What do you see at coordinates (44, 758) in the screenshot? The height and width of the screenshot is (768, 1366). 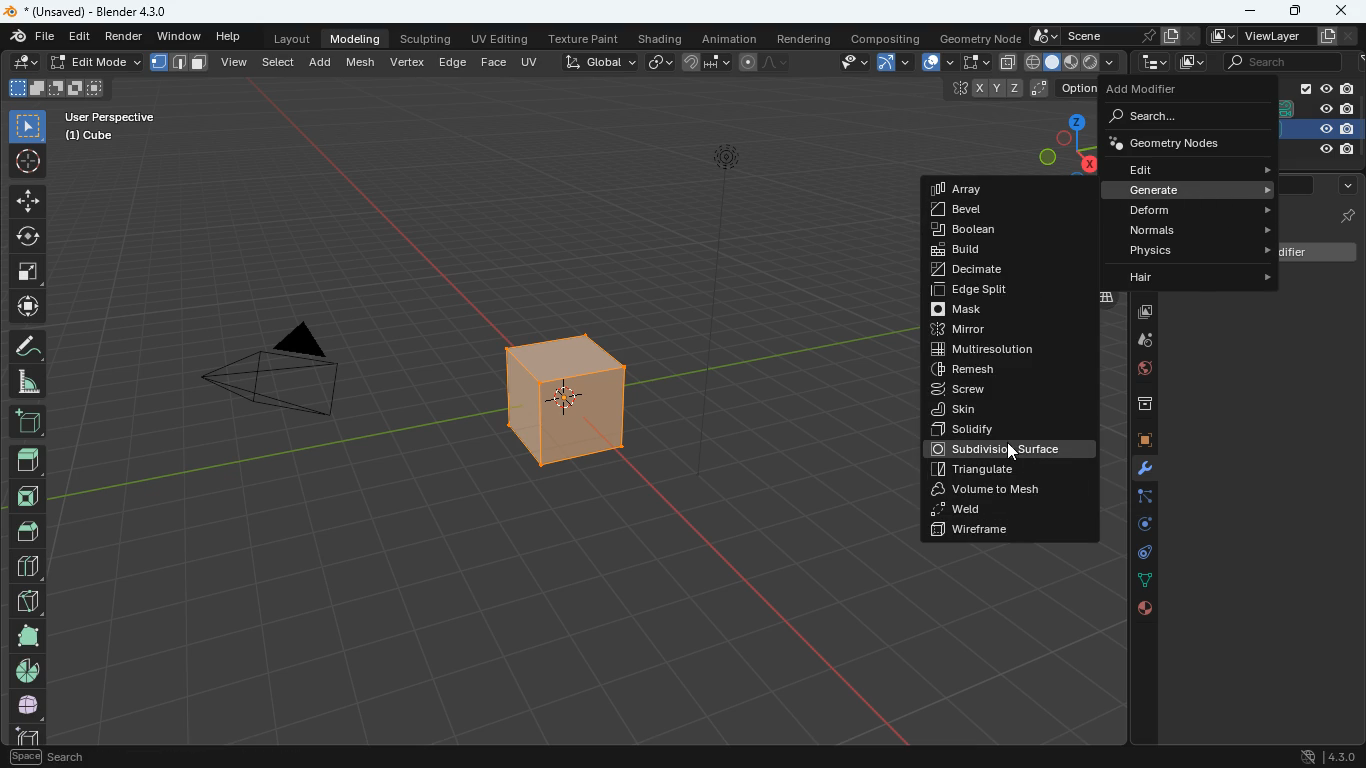 I see `pan view` at bounding box center [44, 758].